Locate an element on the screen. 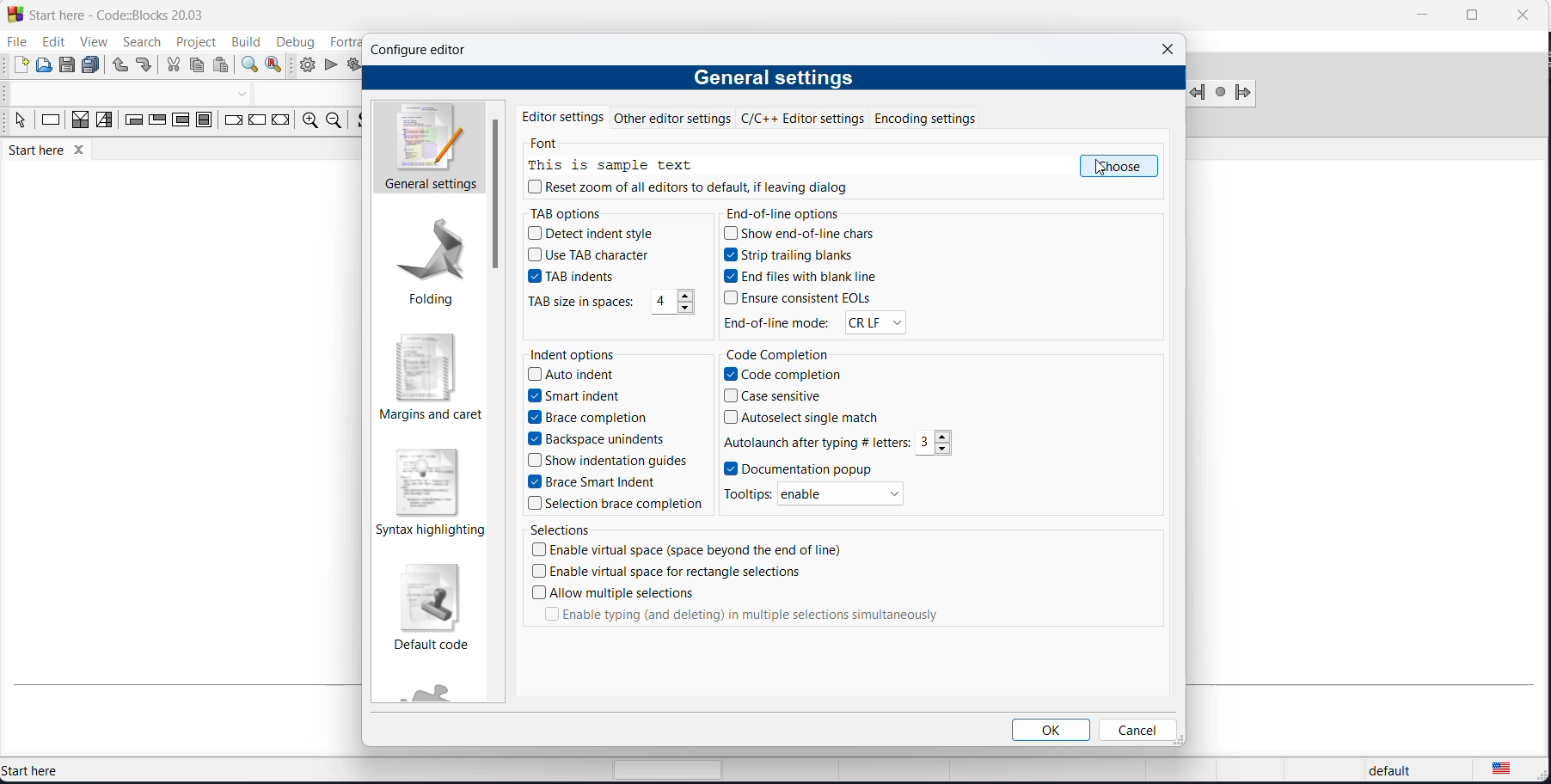 This screenshot has height=784, width=1551. font is located at coordinates (549, 145).